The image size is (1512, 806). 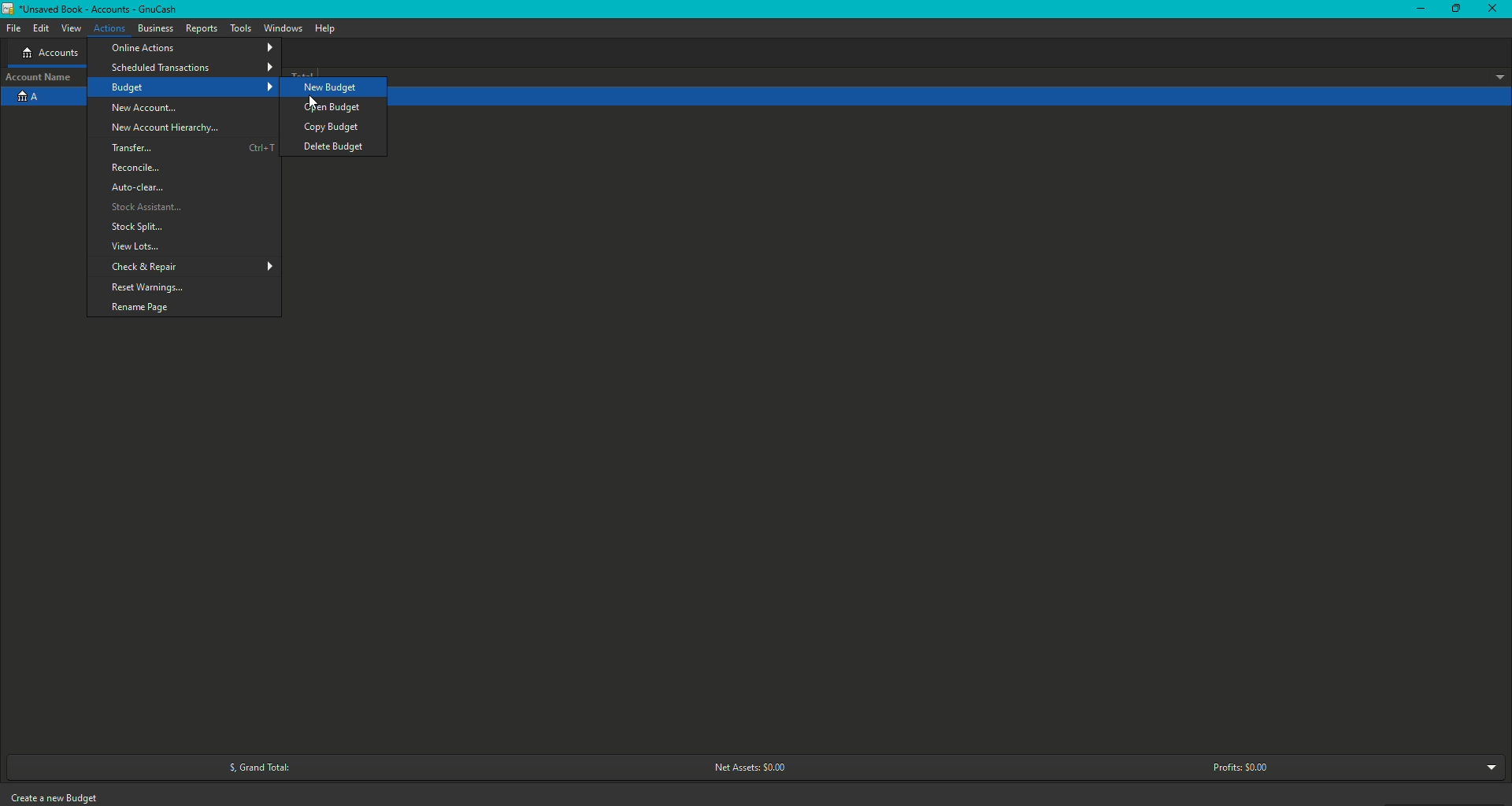 What do you see at coordinates (240, 28) in the screenshot?
I see `Tools` at bounding box center [240, 28].